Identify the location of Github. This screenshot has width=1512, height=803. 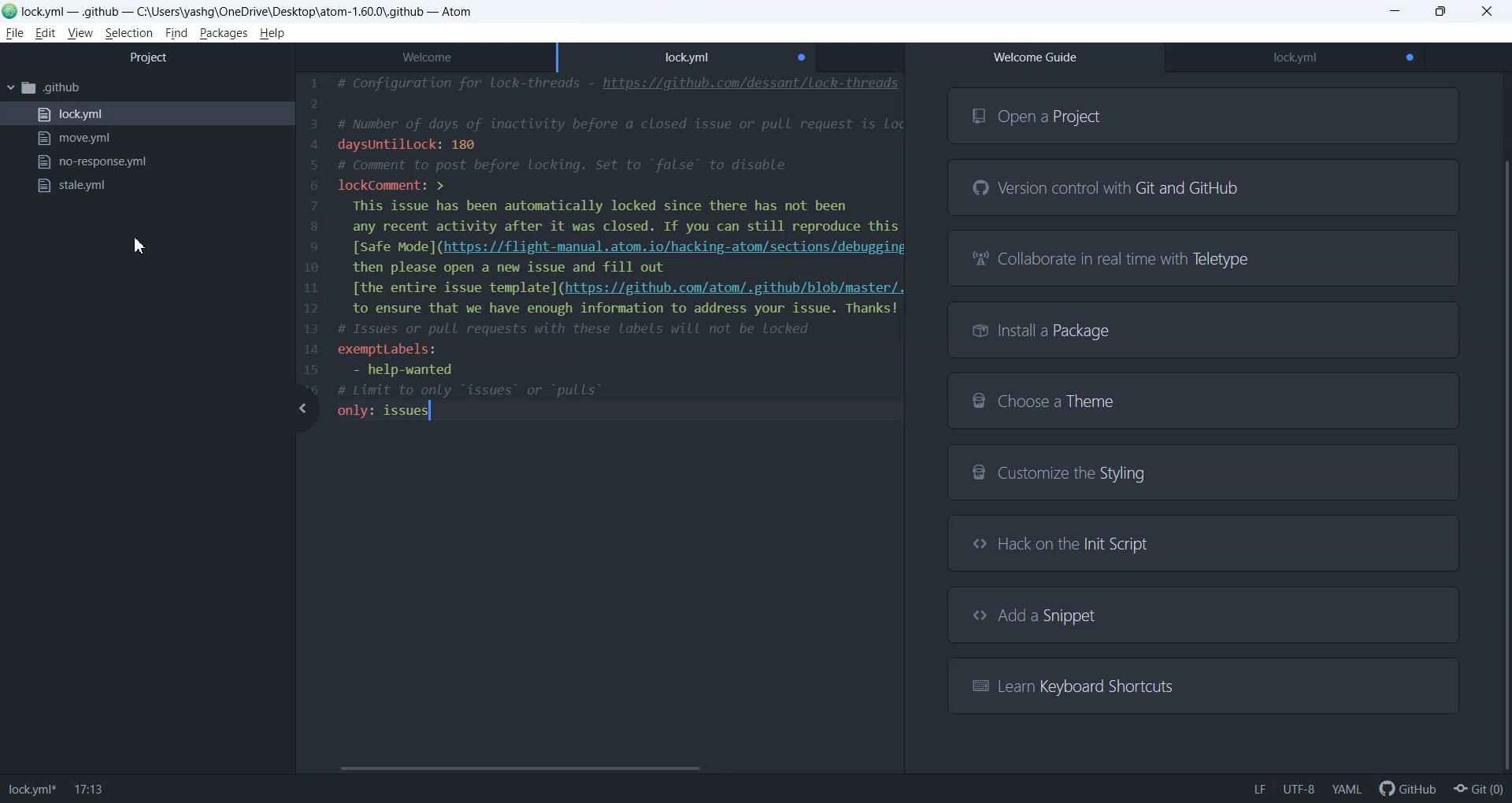
(1405, 788).